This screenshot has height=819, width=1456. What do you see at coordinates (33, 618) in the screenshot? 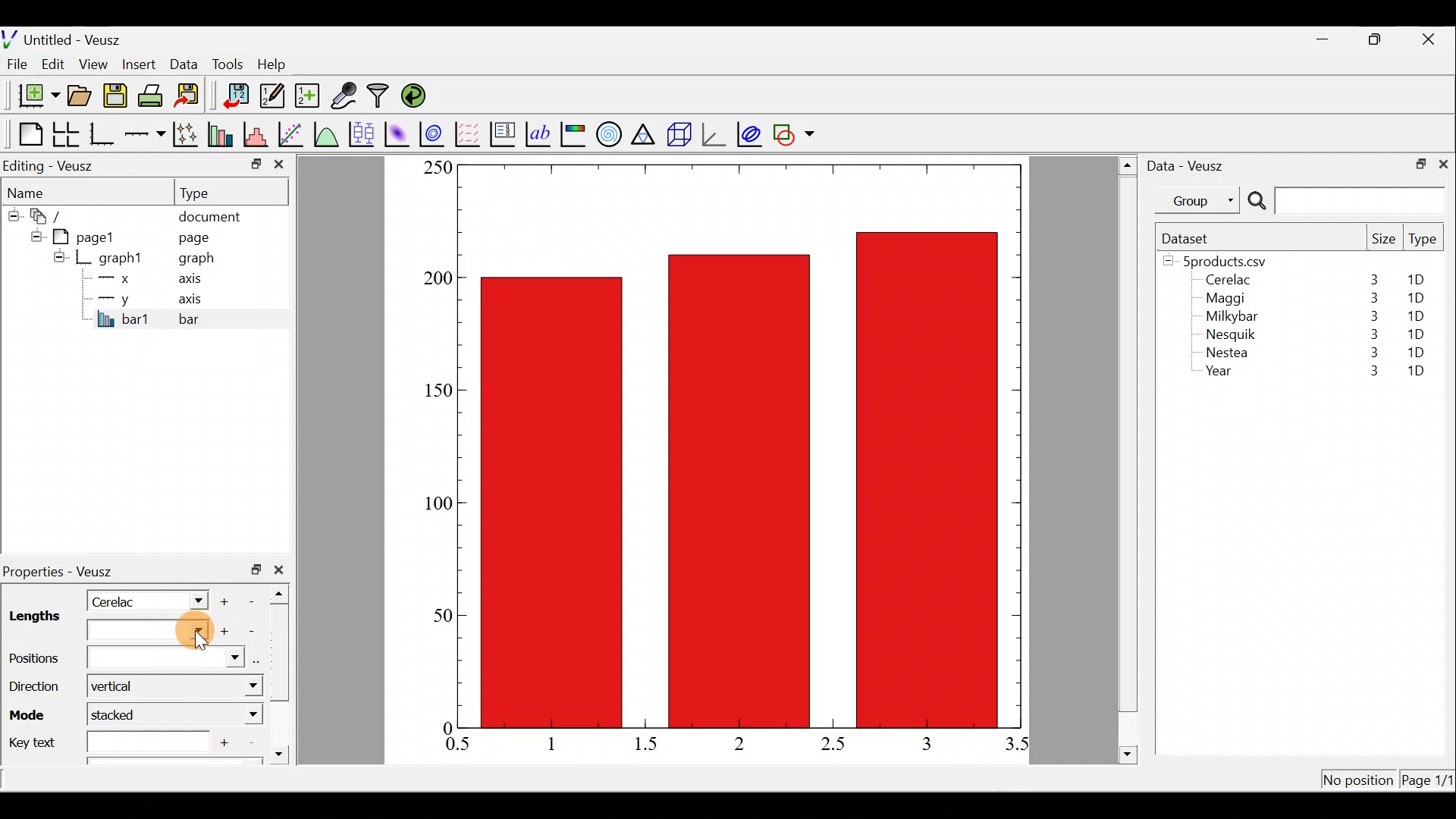
I see `Lengths` at bounding box center [33, 618].